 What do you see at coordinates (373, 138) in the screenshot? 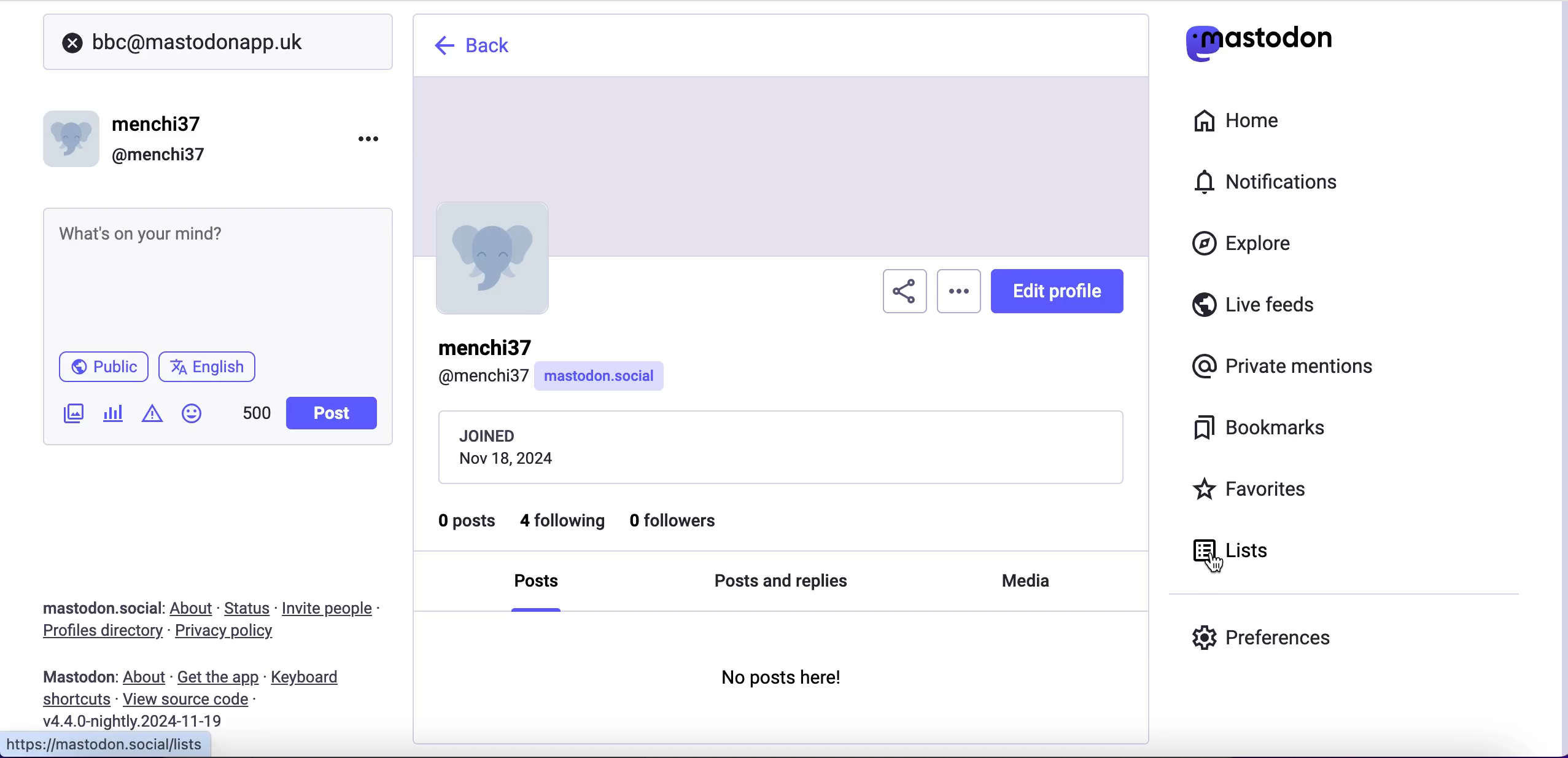
I see `menu options` at bounding box center [373, 138].